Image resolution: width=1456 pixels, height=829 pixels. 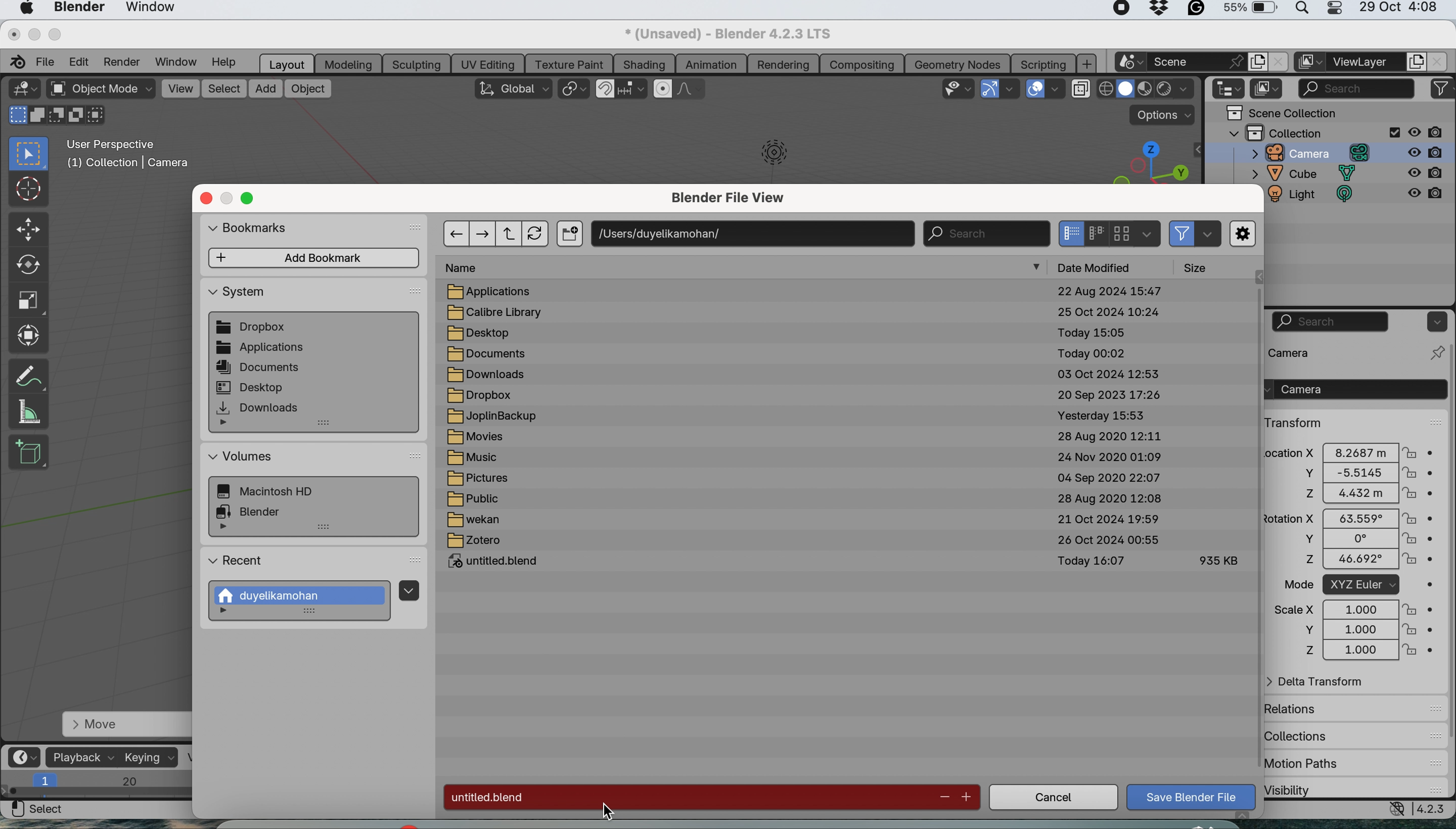 What do you see at coordinates (408, 589) in the screenshot?
I see `menu` at bounding box center [408, 589].